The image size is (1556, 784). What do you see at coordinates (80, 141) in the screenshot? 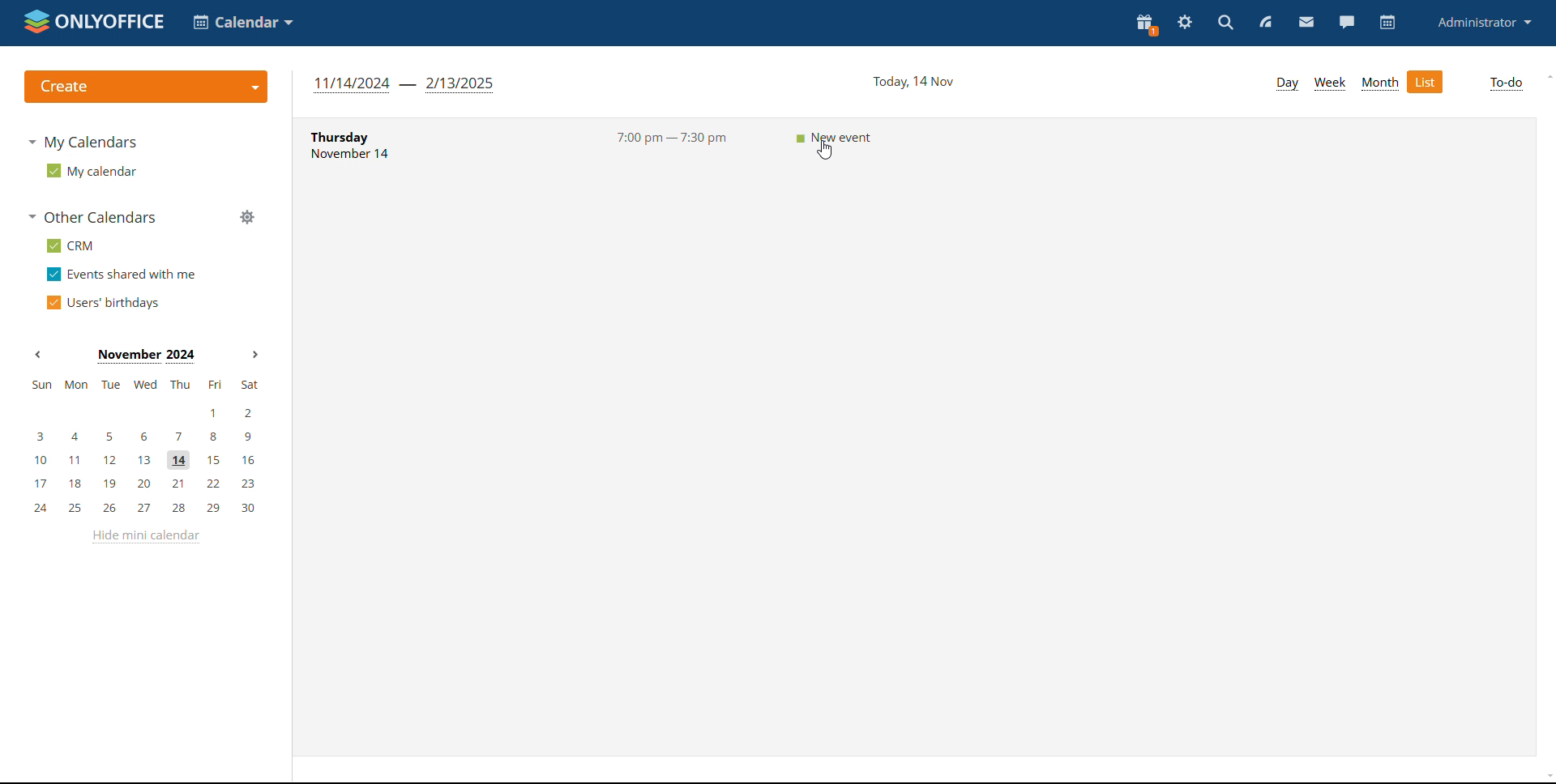
I see `my calendars` at bounding box center [80, 141].